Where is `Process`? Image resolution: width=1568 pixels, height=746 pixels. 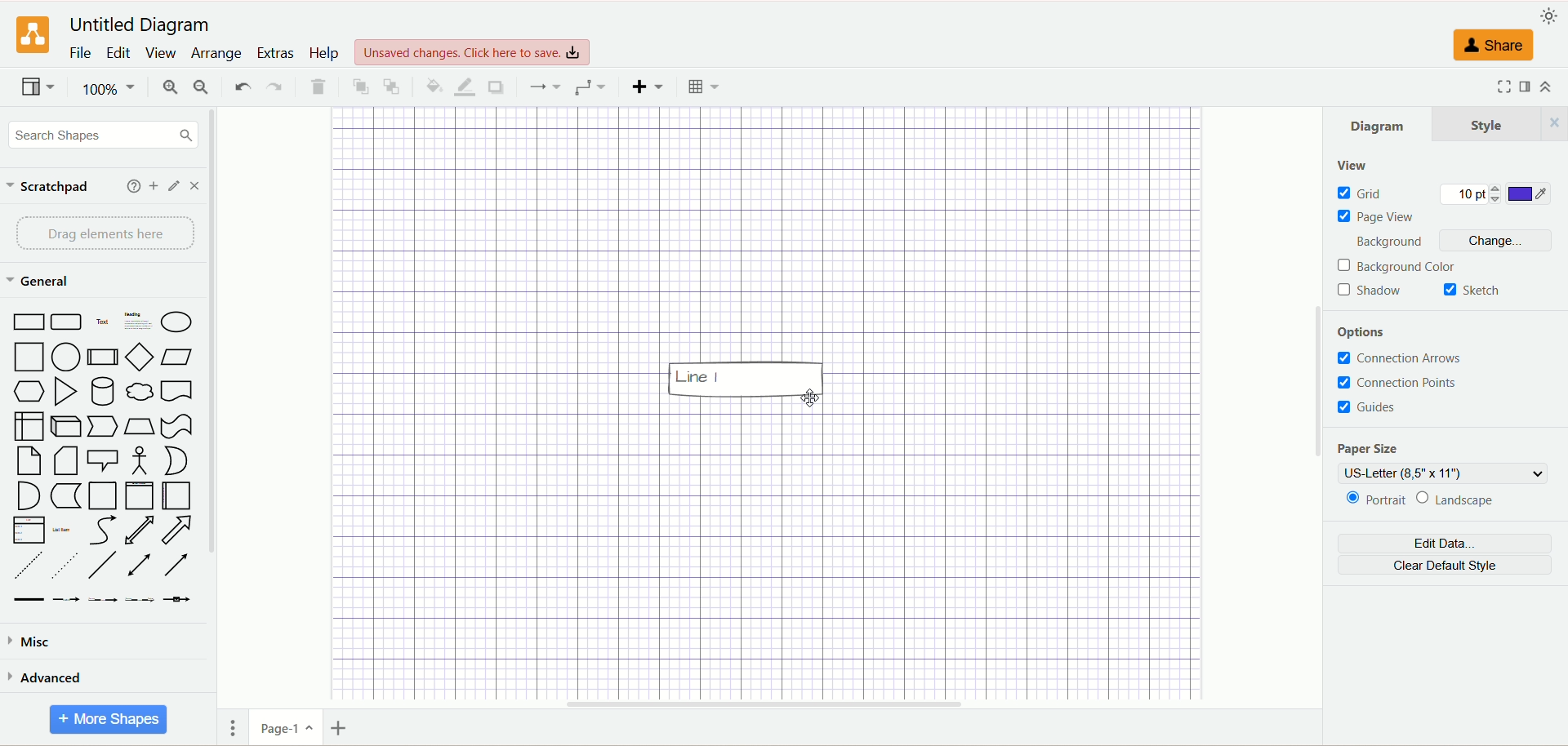
Process is located at coordinates (101, 357).